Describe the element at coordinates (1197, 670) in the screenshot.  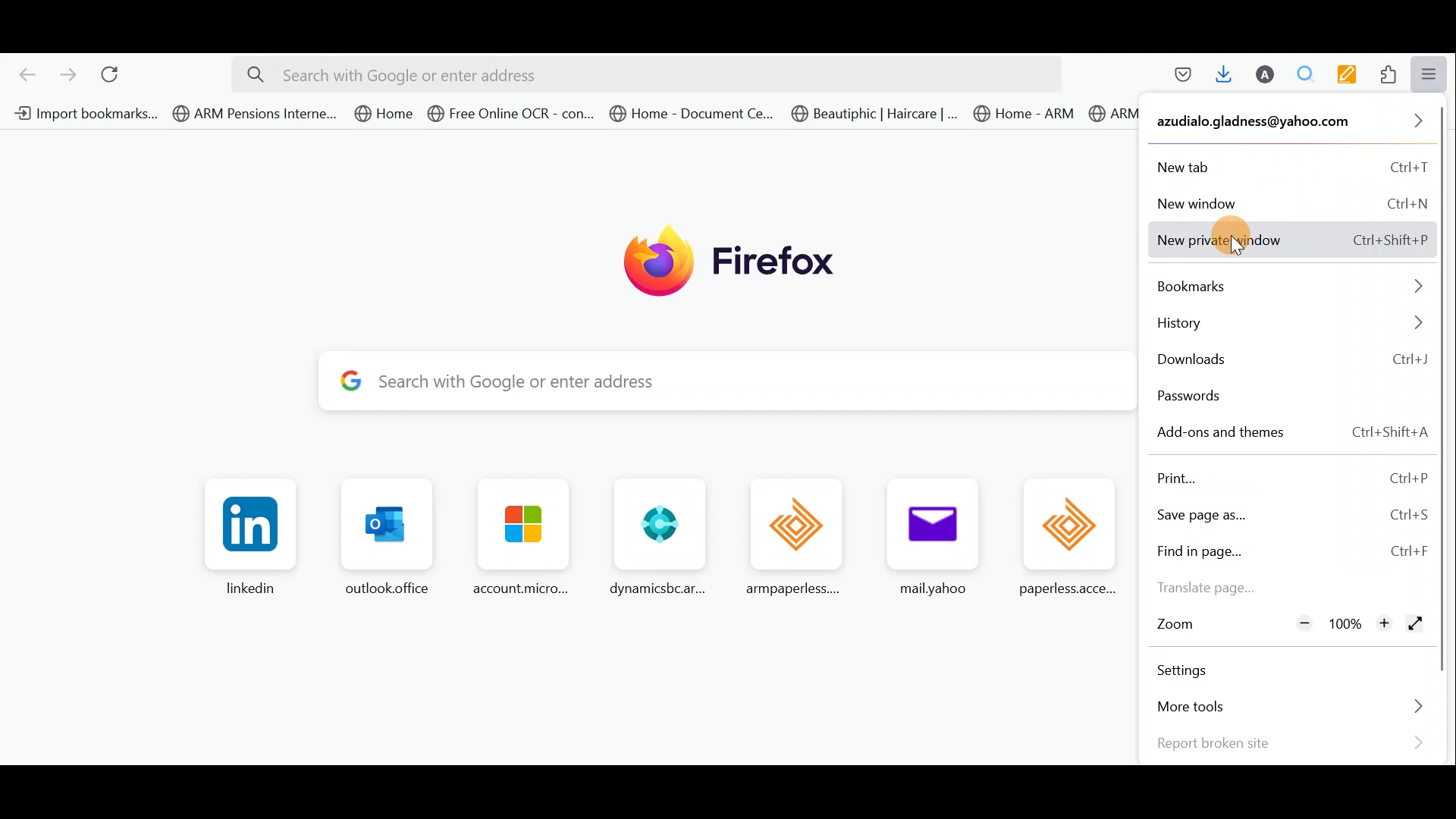
I see `Settings` at that location.